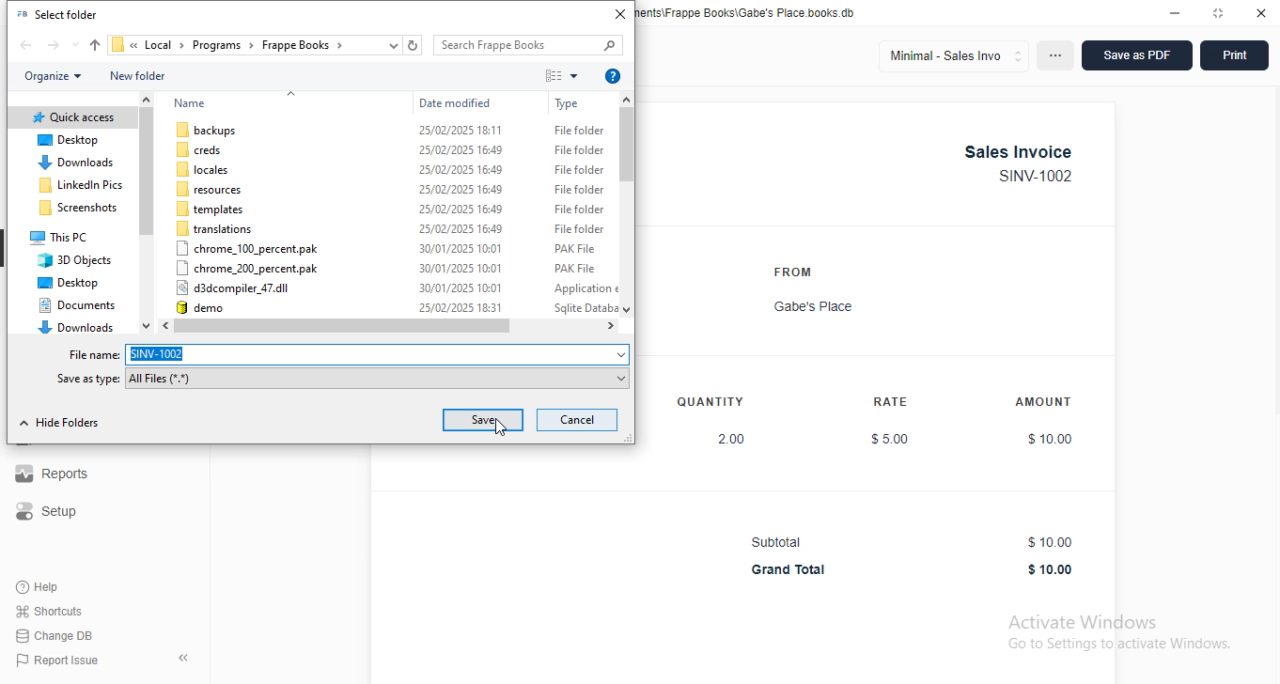 This screenshot has width=1280, height=684. What do you see at coordinates (167, 326) in the screenshot?
I see `scroll left` at bounding box center [167, 326].